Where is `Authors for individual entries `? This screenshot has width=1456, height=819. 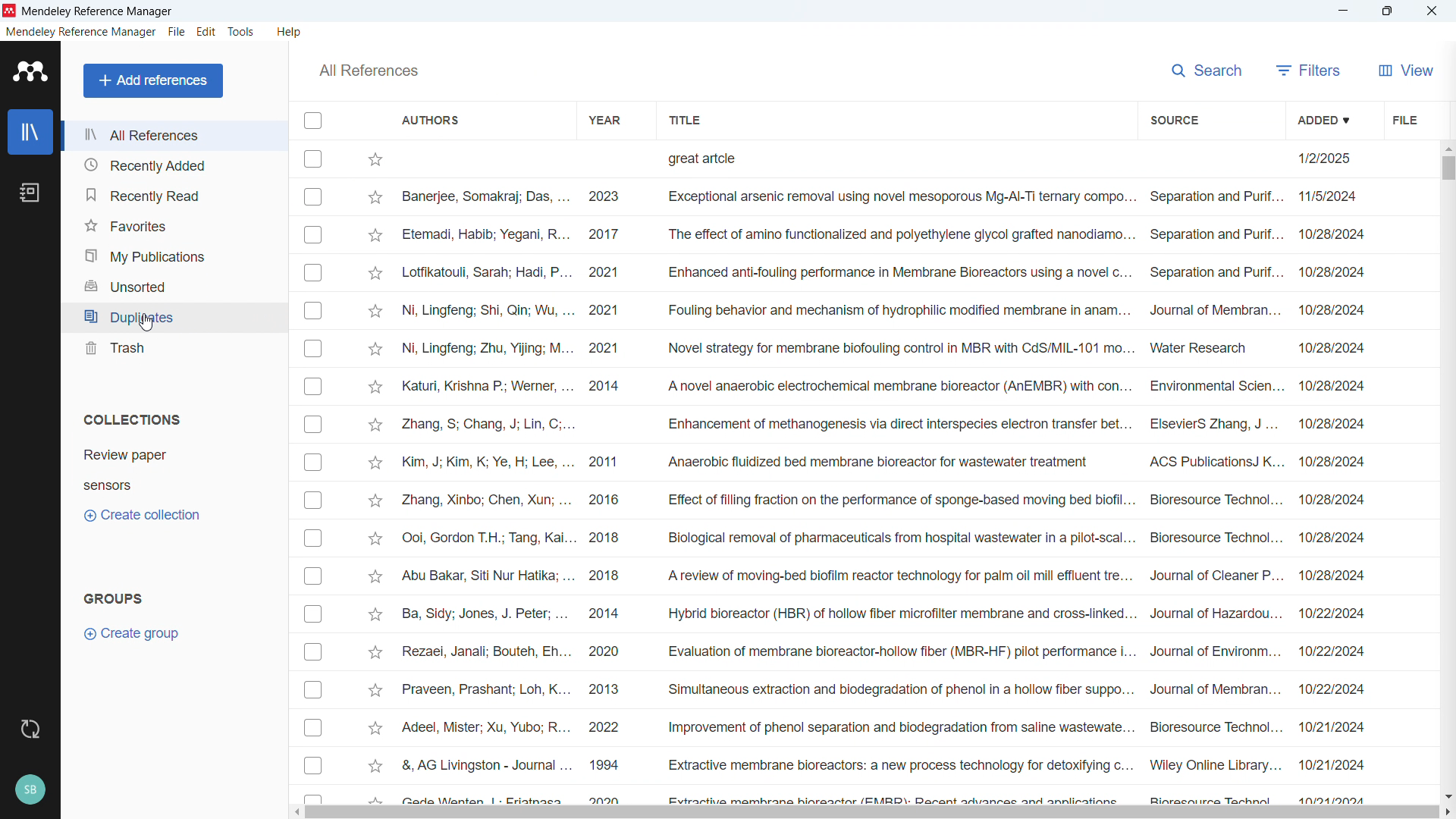
Authors for individual entries  is located at coordinates (485, 475).